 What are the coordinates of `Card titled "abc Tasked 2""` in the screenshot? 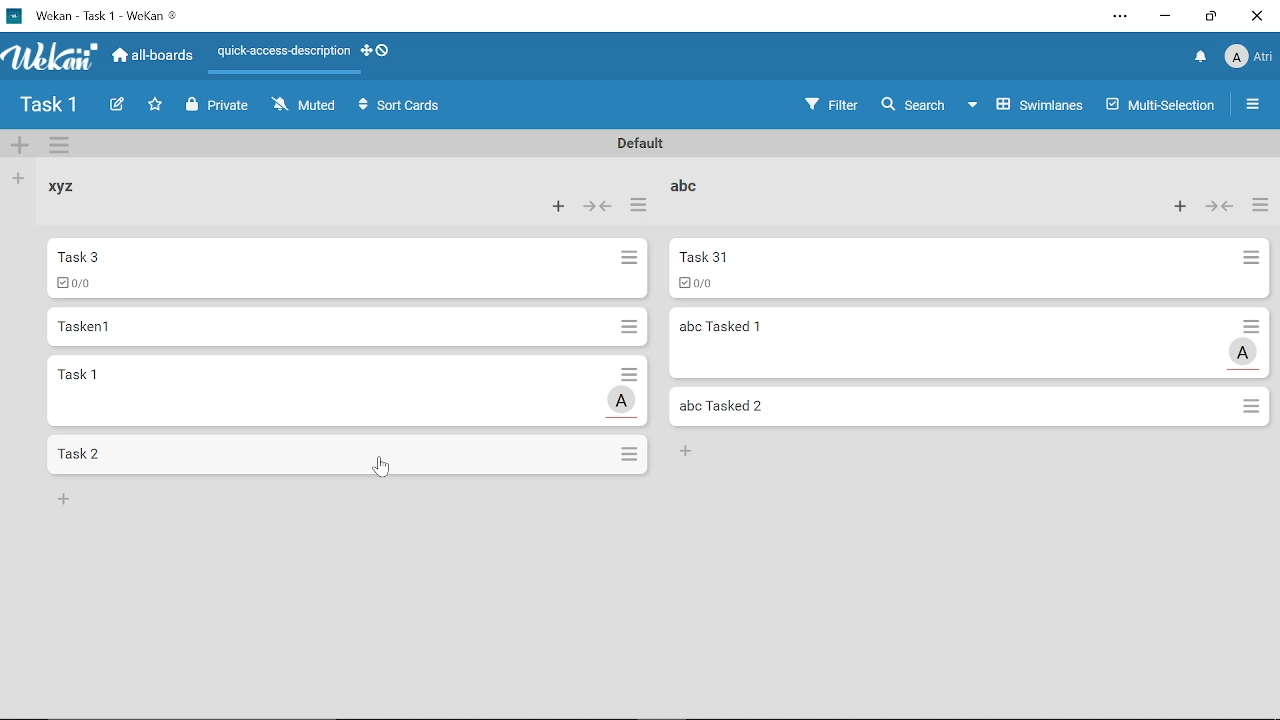 It's located at (956, 406).